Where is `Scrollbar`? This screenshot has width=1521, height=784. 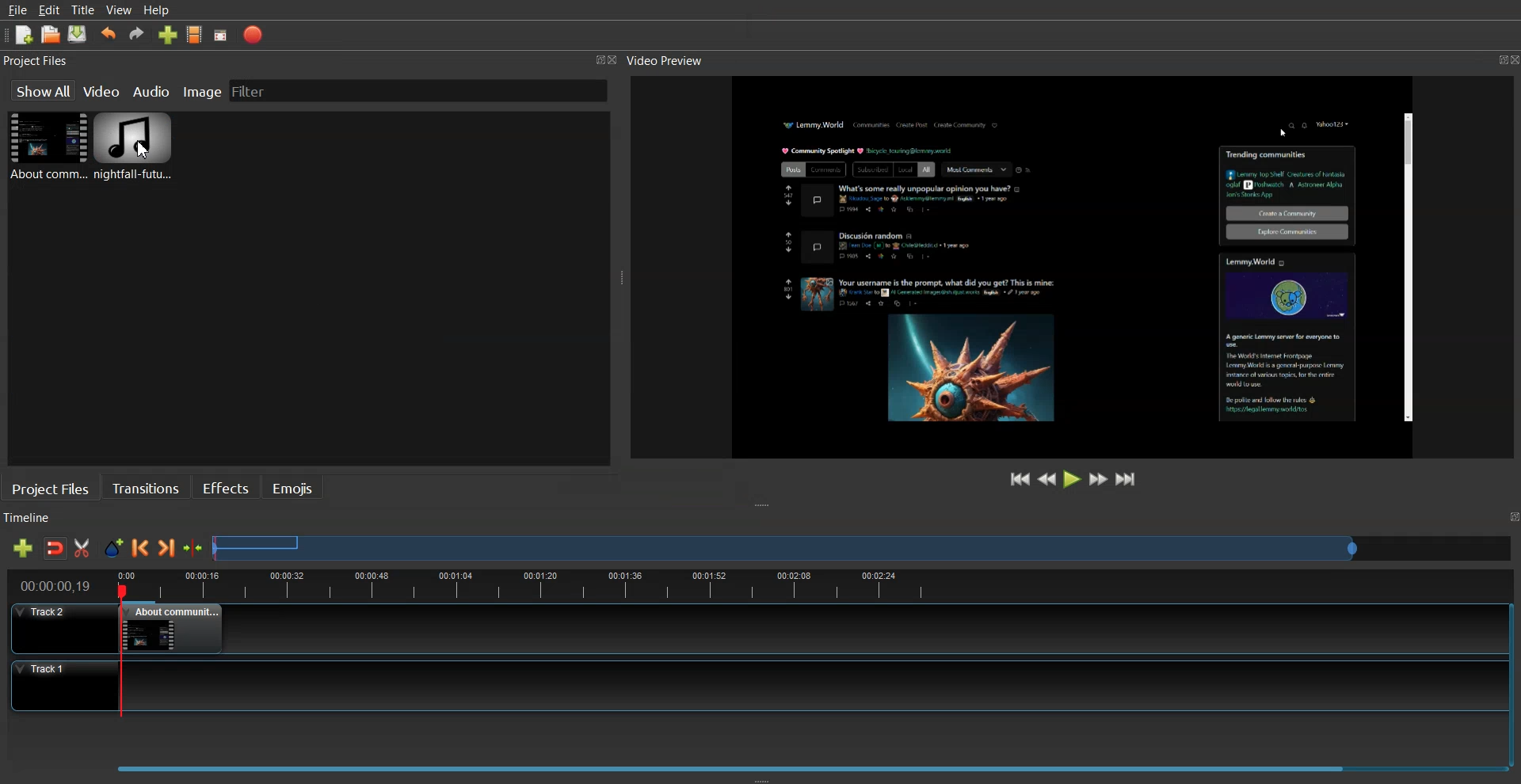
Scrollbar is located at coordinates (1406, 268).